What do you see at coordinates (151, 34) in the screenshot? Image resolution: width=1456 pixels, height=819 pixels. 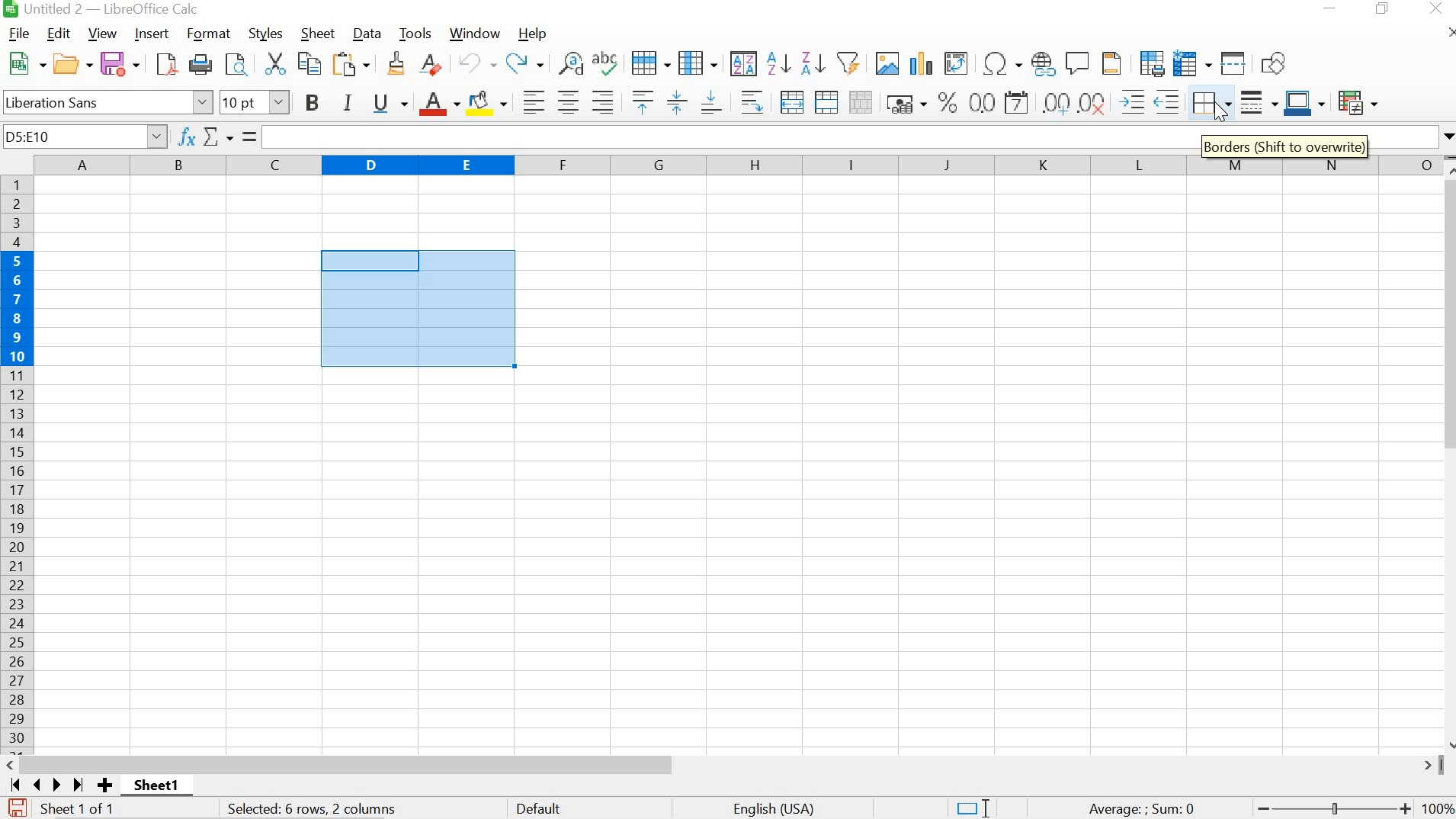 I see `INSERT` at bounding box center [151, 34].